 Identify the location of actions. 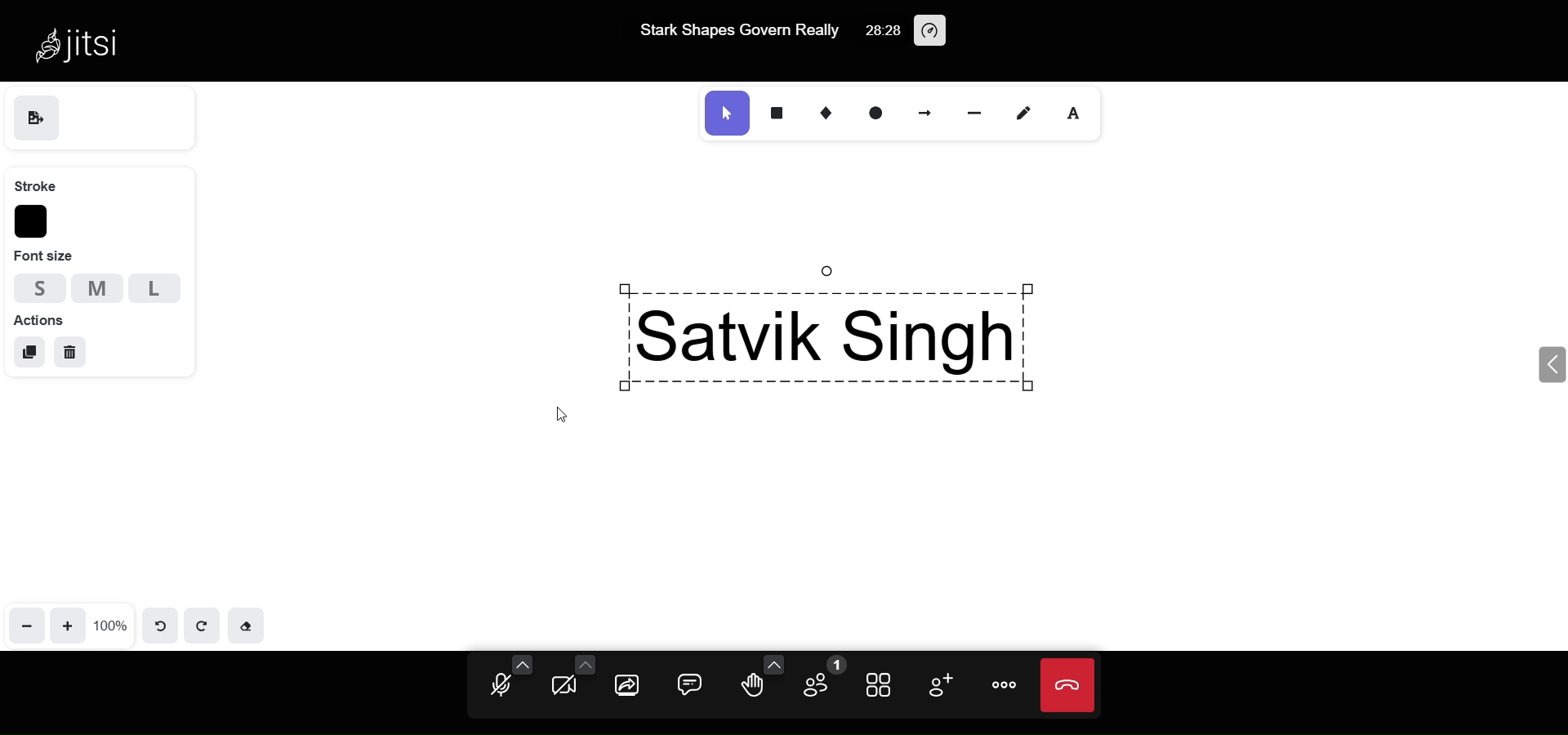
(39, 321).